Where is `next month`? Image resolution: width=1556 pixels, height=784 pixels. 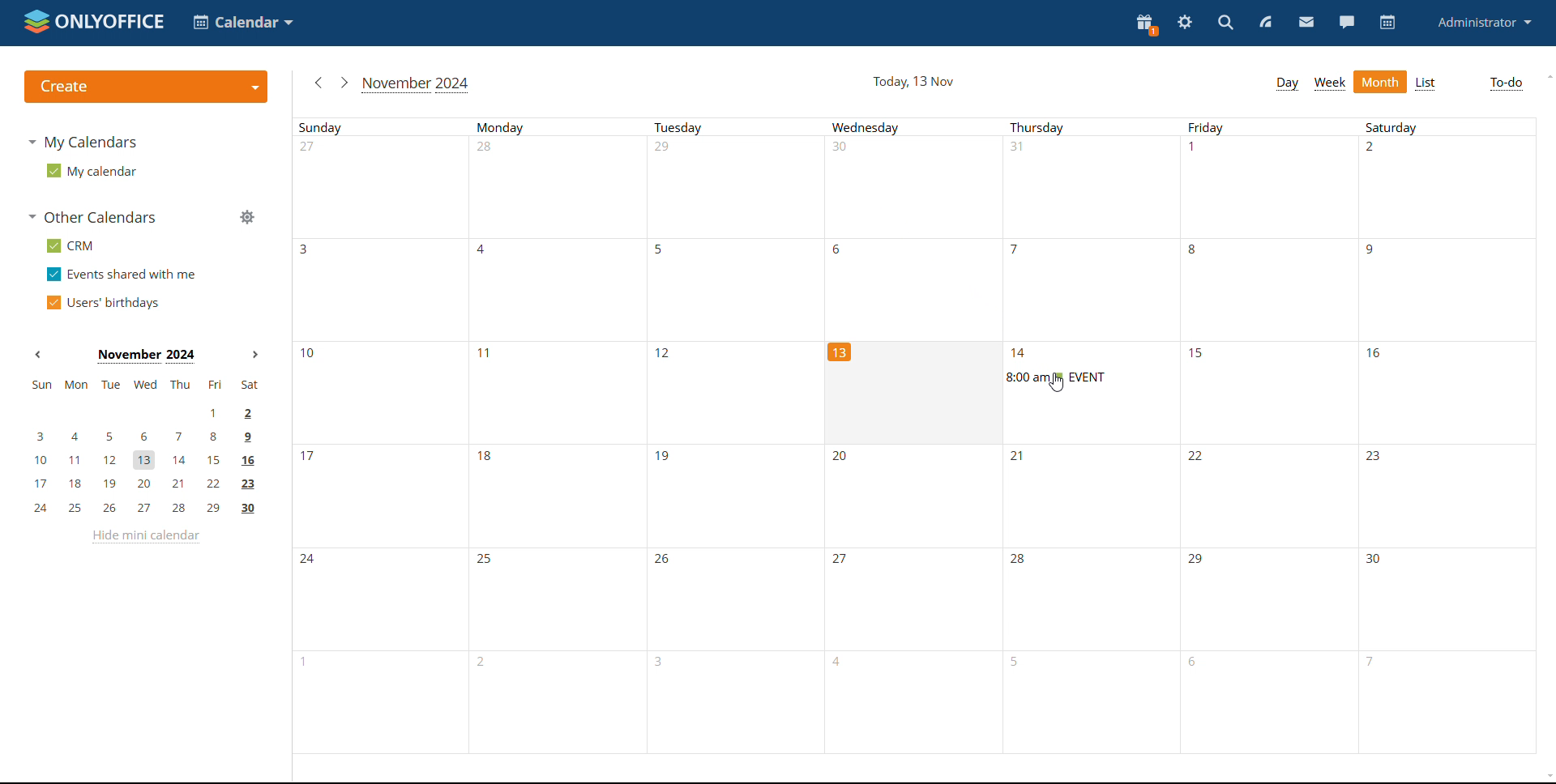
next month is located at coordinates (345, 83).